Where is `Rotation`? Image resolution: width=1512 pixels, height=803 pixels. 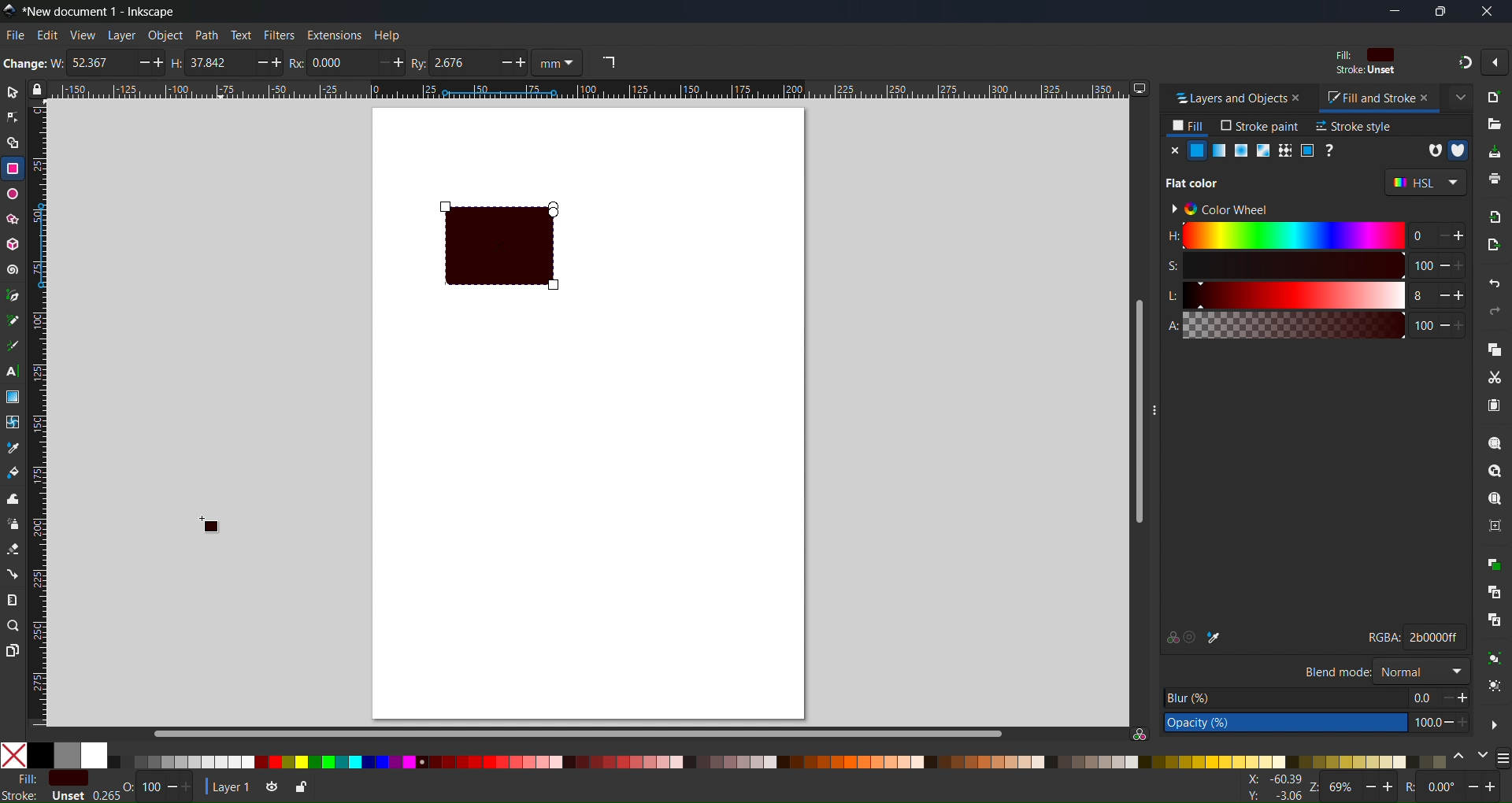 Rotation is located at coordinates (1414, 787).